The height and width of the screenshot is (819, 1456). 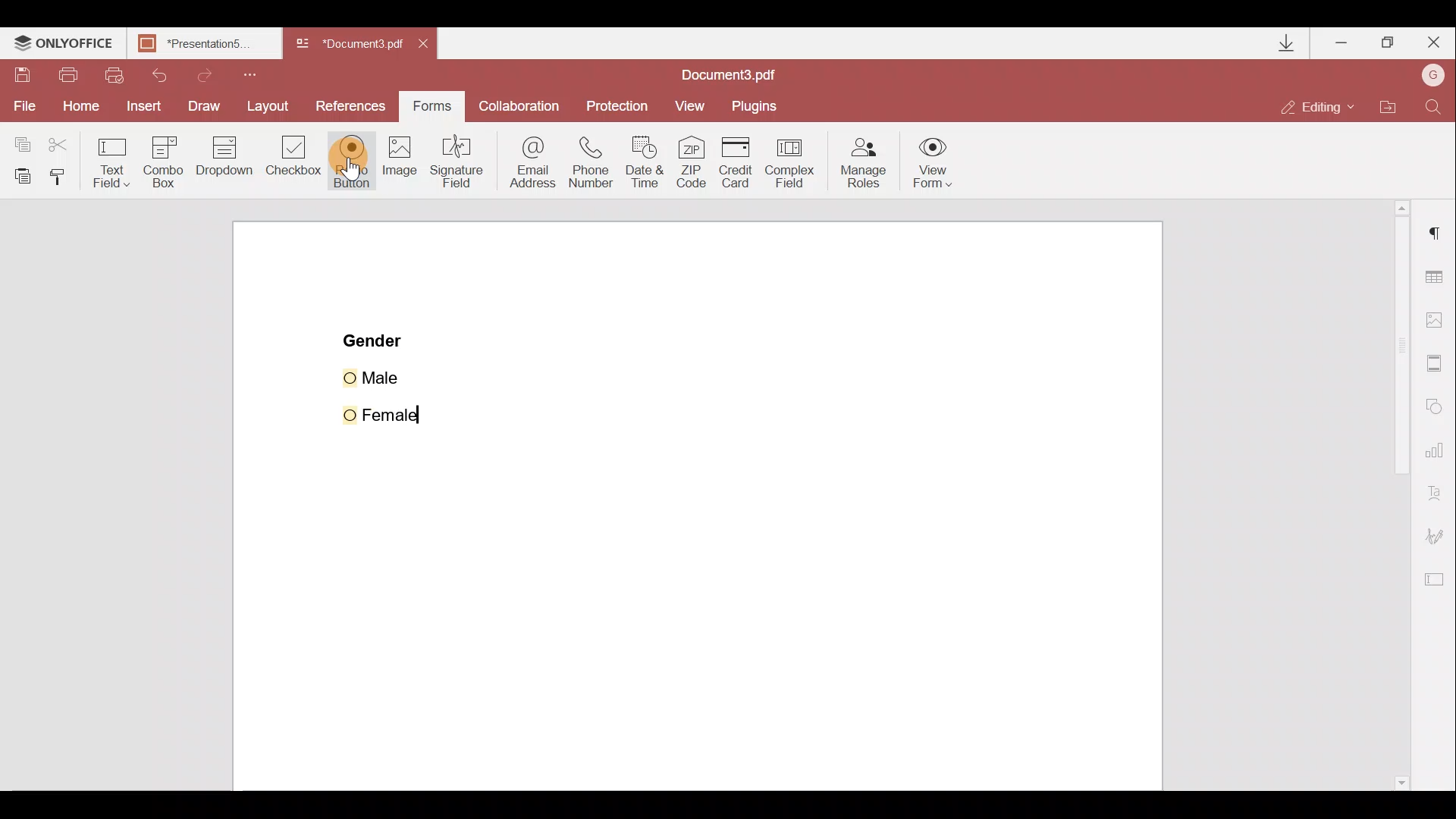 What do you see at coordinates (1434, 43) in the screenshot?
I see `Close` at bounding box center [1434, 43].